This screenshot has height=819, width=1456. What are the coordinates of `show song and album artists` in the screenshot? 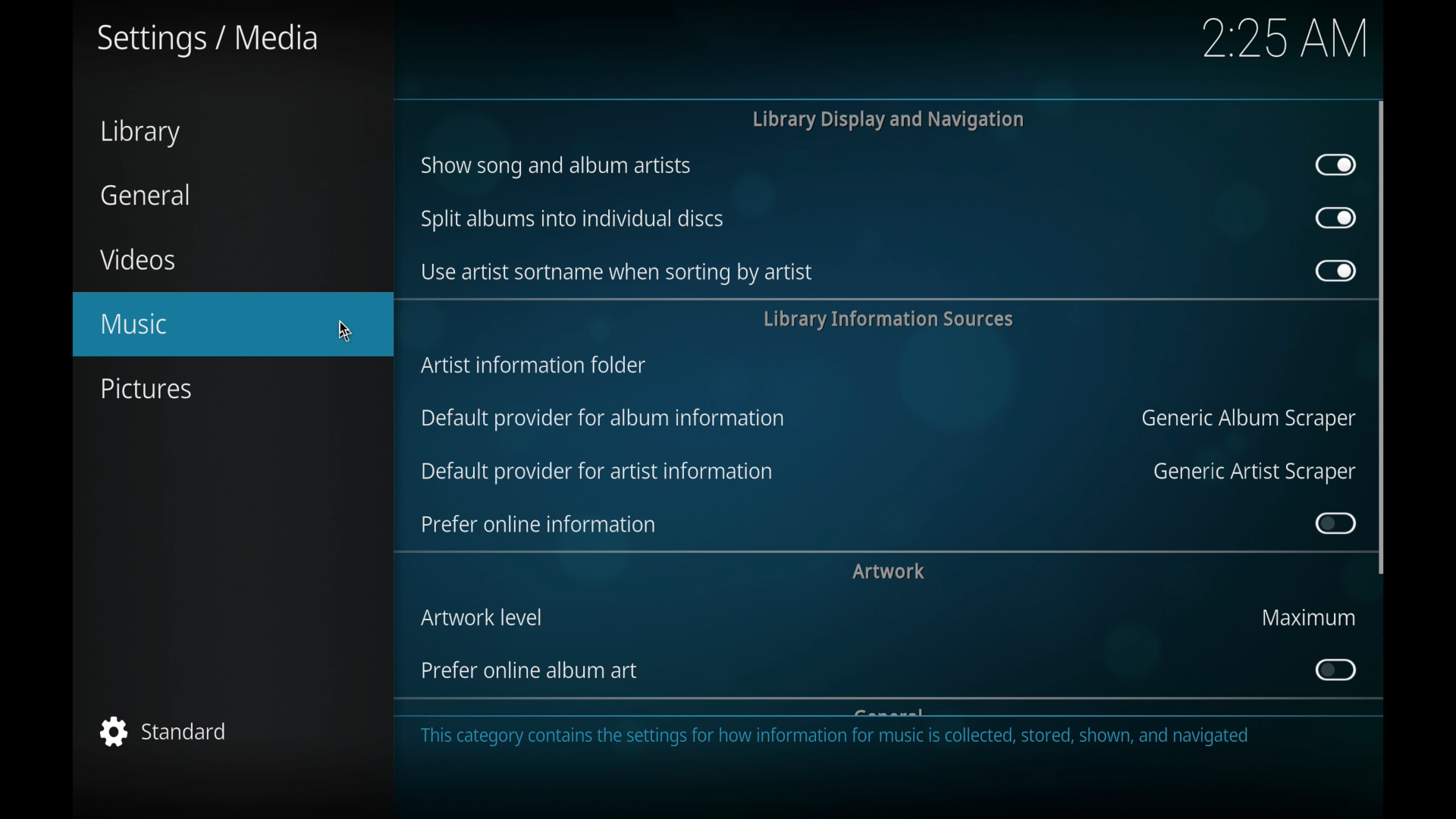 It's located at (557, 168).